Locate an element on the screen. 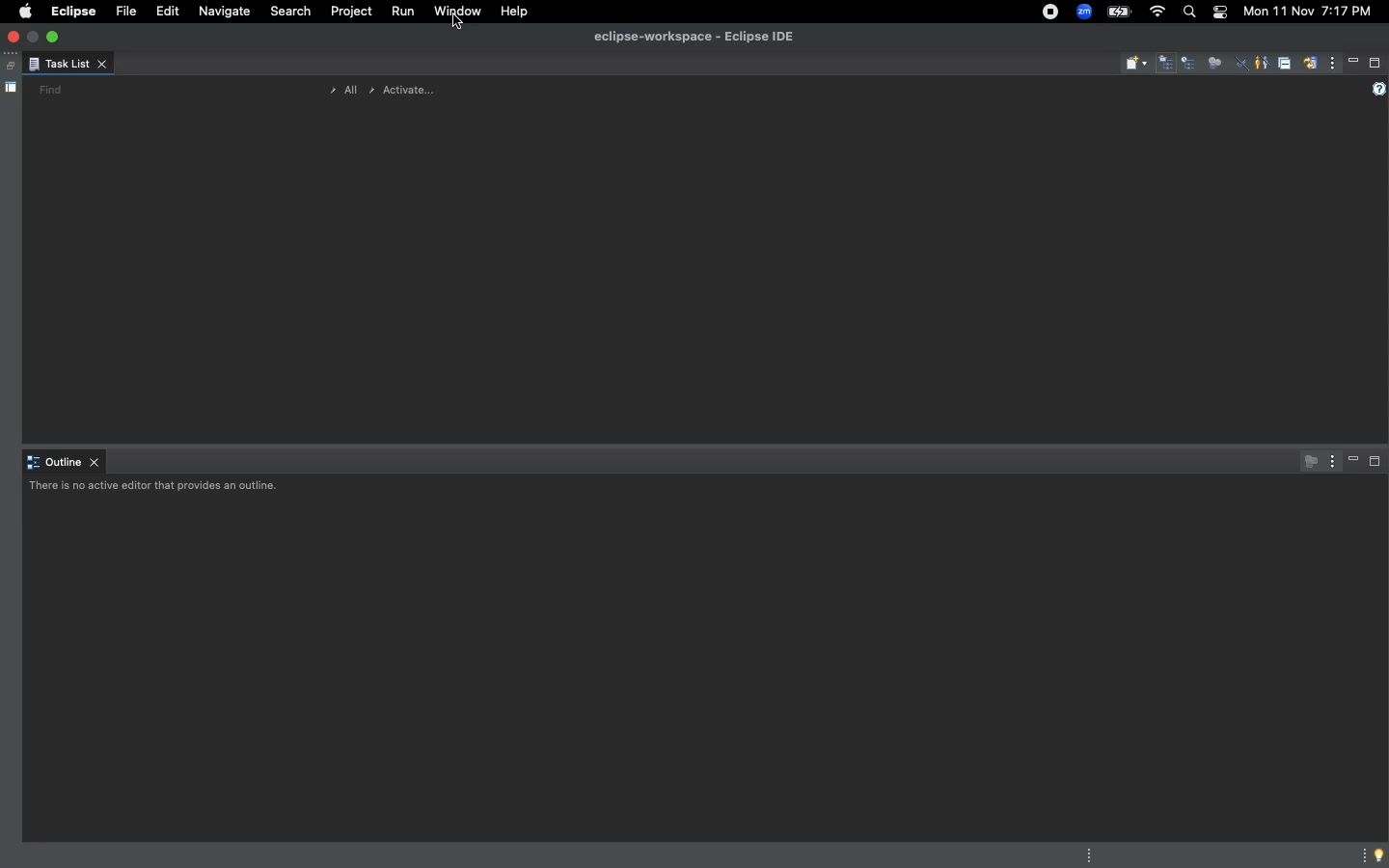 The width and height of the screenshot is (1389, 868). Apple logo is located at coordinates (24, 11).